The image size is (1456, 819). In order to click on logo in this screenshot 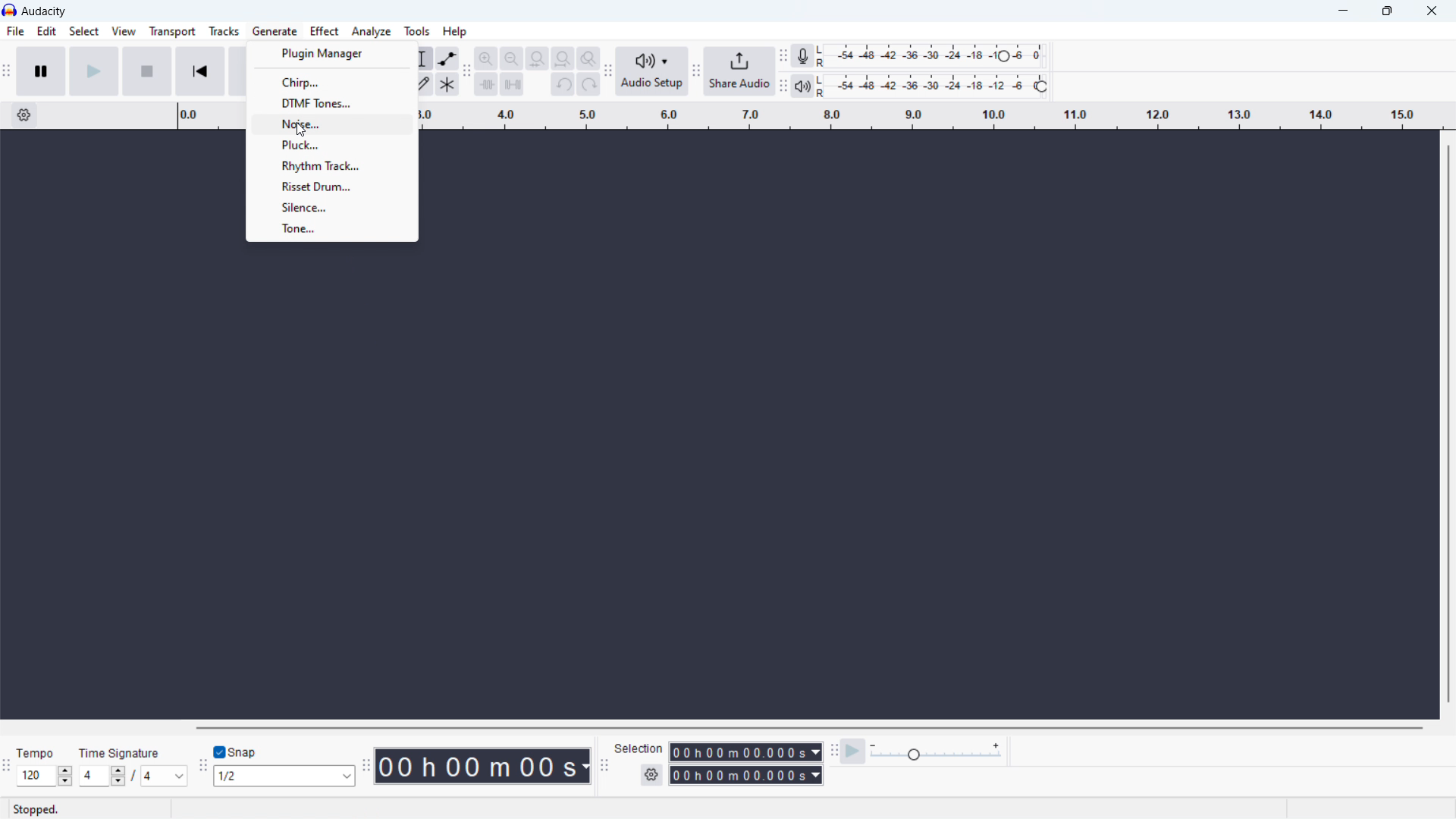, I will do `click(10, 10)`.